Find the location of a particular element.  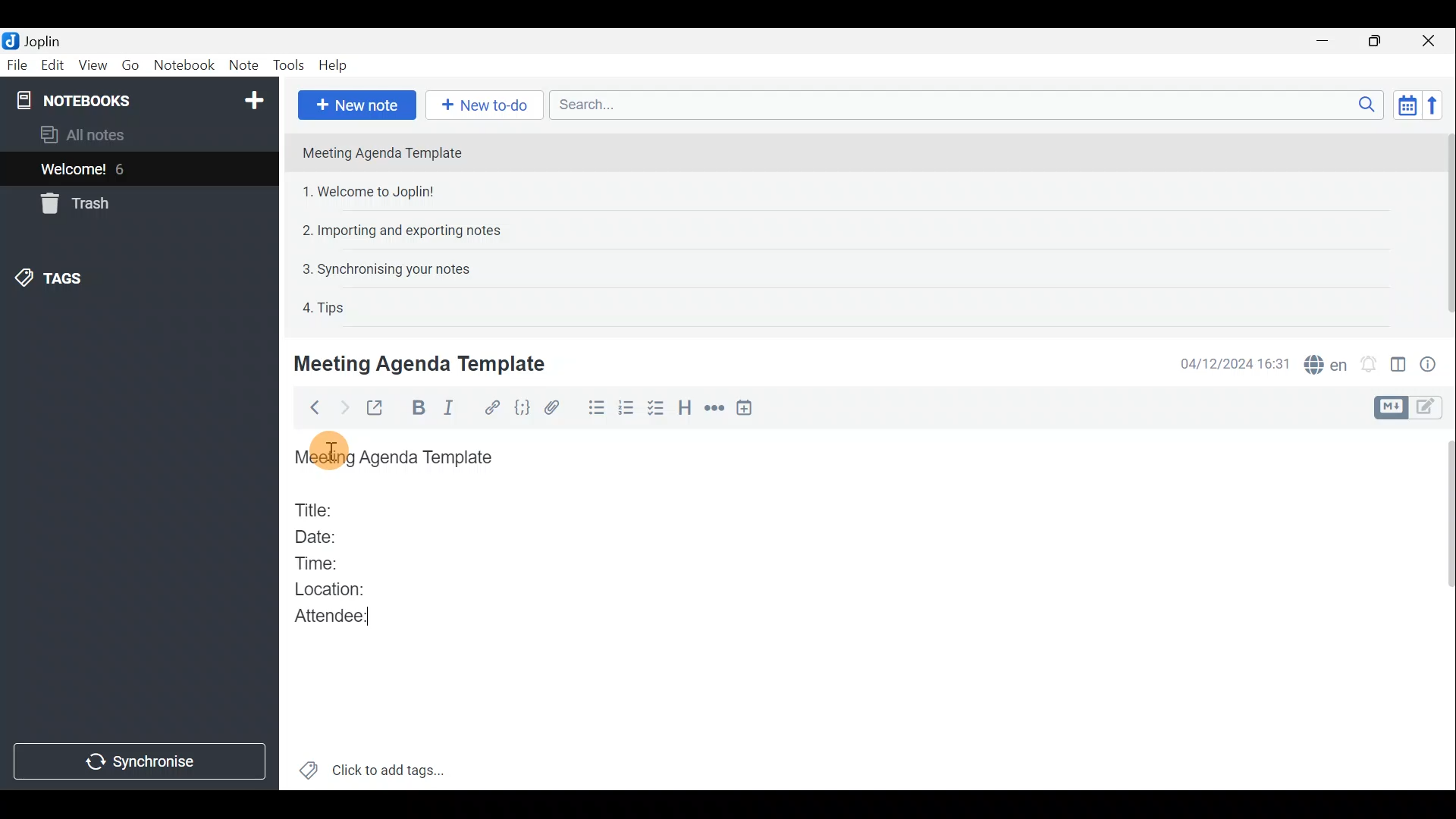

Maximise is located at coordinates (1376, 42).